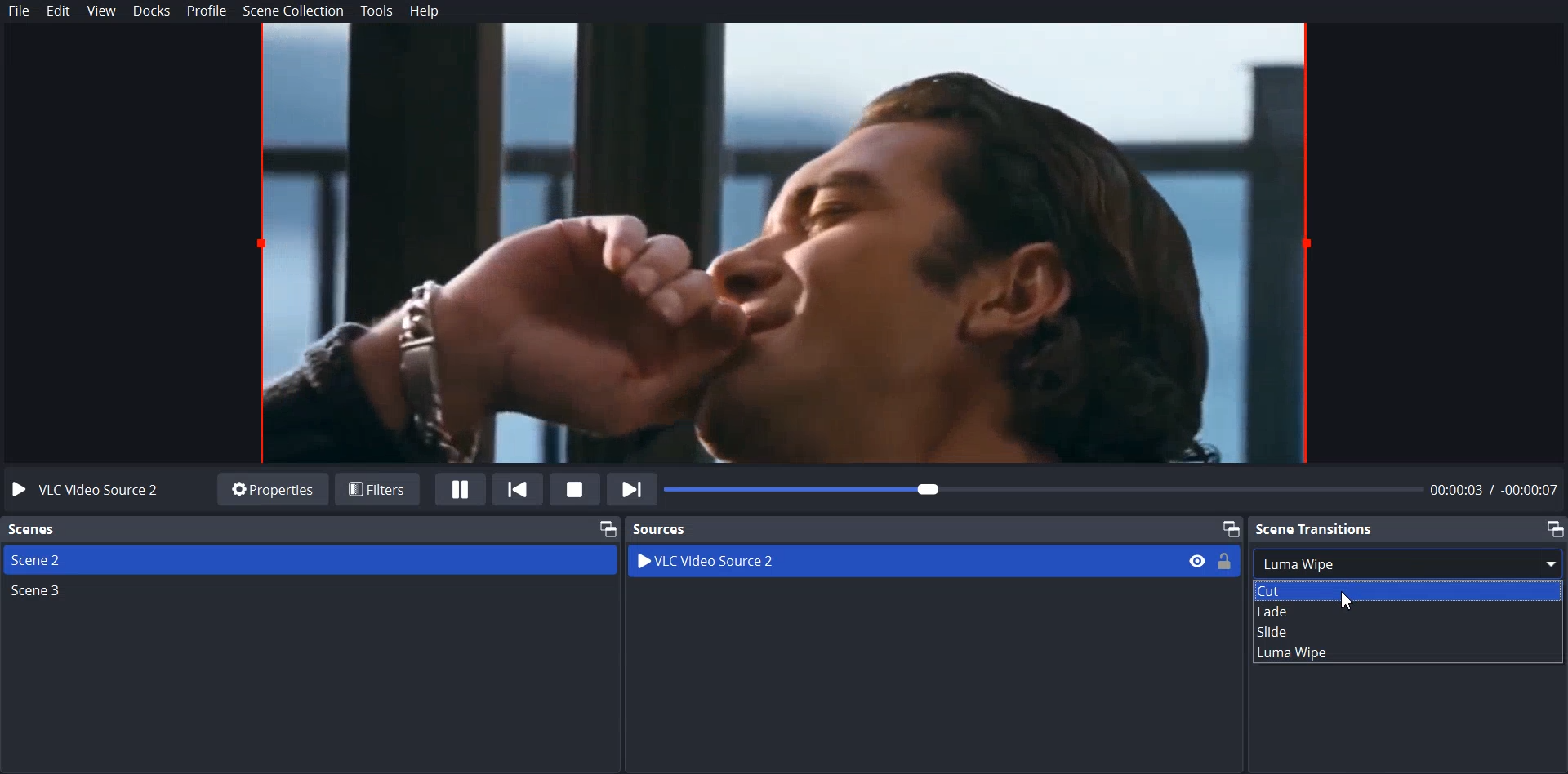 The image size is (1568, 774). I want to click on Maximize window, so click(1554, 528).